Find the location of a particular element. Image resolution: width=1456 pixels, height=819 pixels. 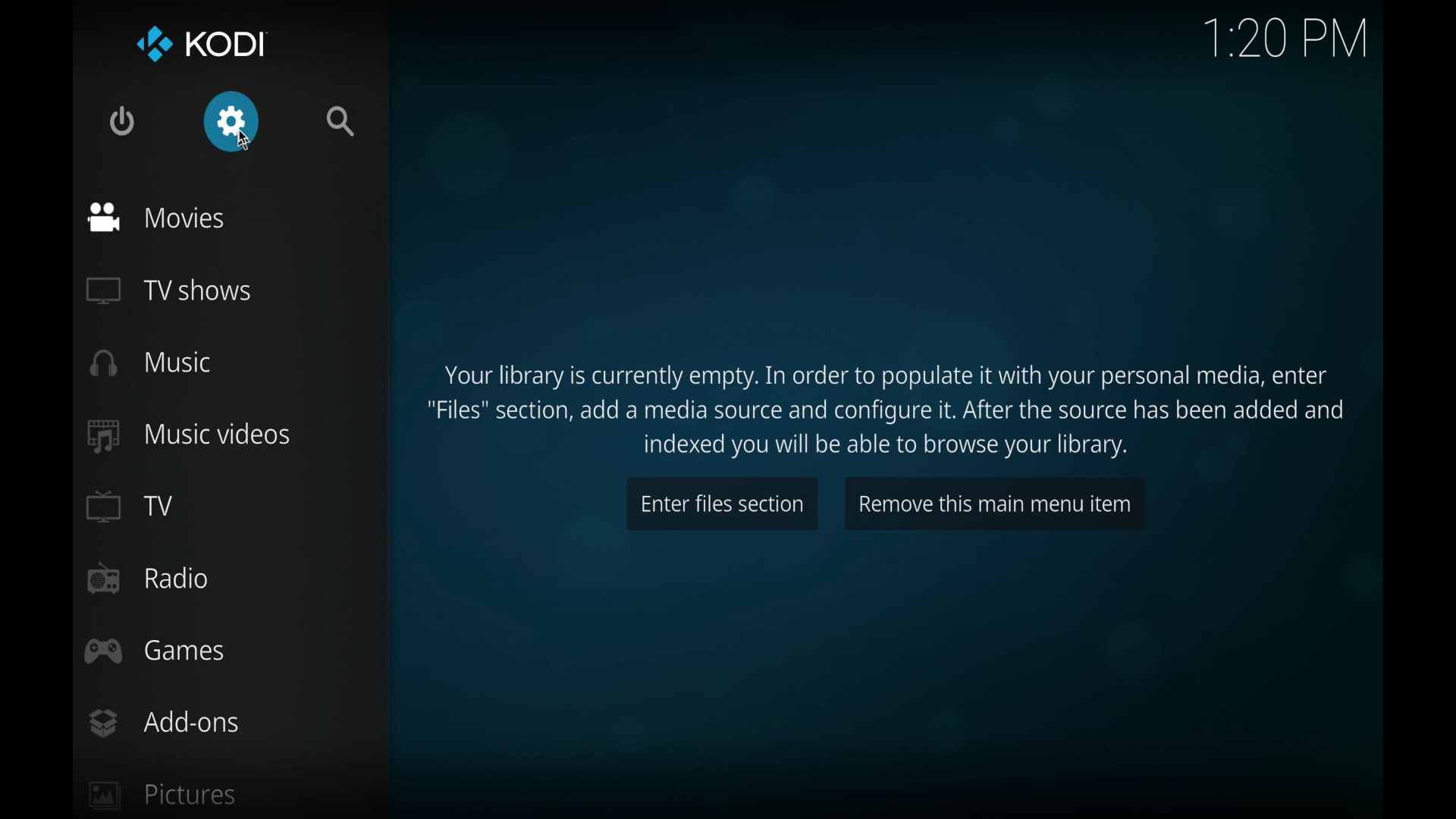

enter files section is located at coordinates (722, 504).